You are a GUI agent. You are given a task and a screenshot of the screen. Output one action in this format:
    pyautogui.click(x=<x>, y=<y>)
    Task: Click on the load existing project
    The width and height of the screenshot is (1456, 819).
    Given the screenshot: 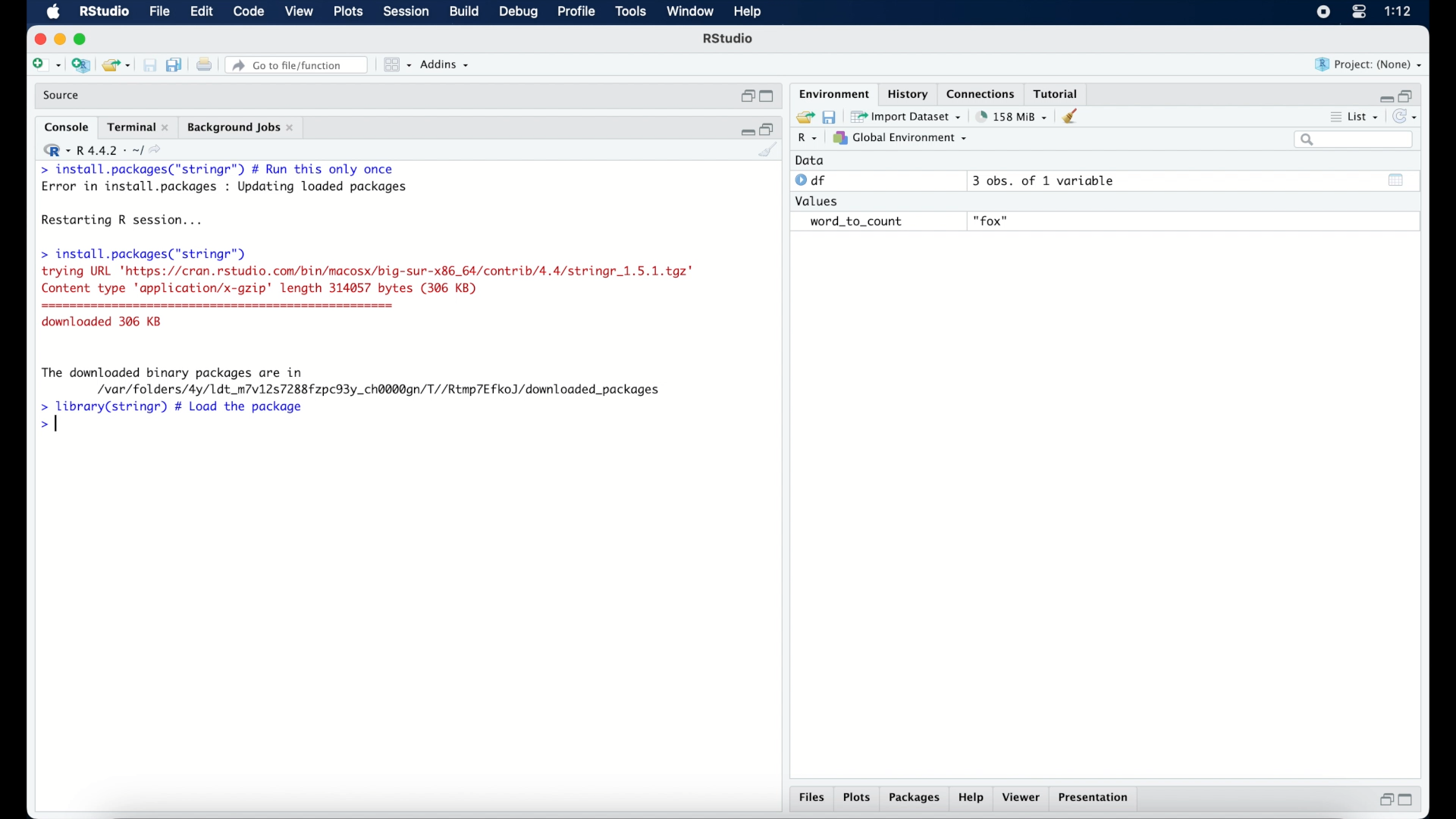 What is the action you would take?
    pyautogui.click(x=119, y=66)
    